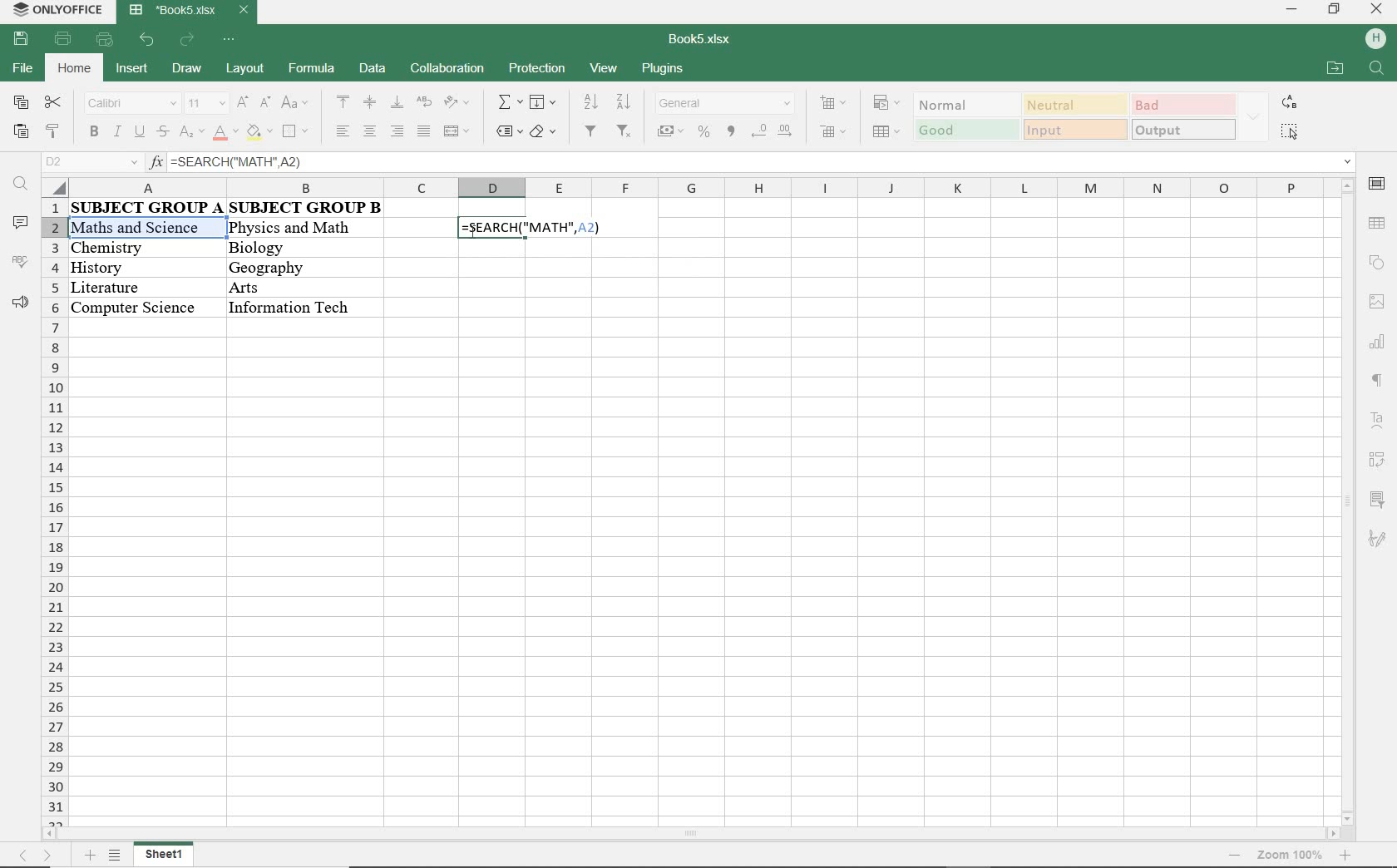  Describe the element at coordinates (887, 104) in the screenshot. I see `conditional formatting` at that location.